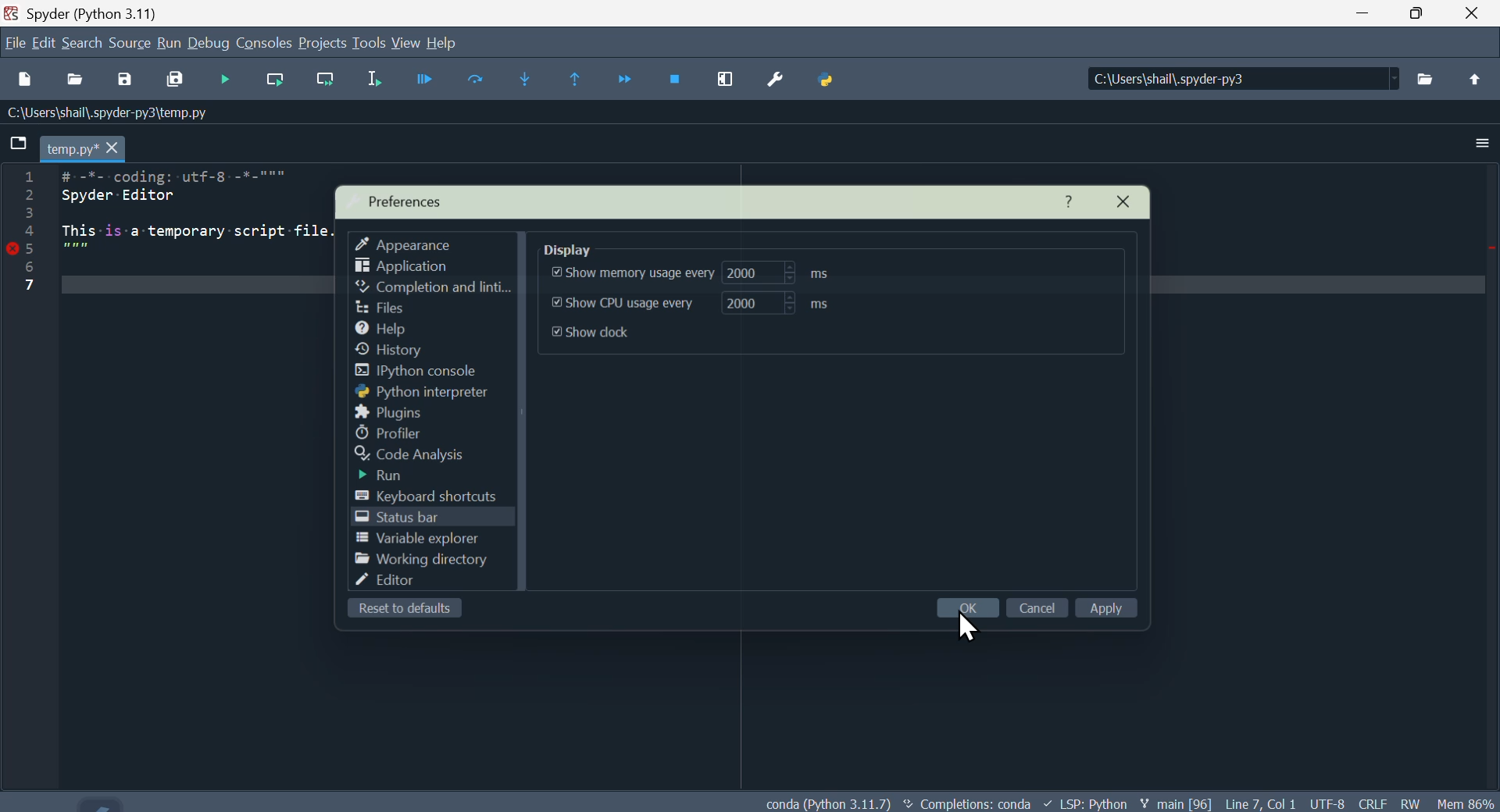 The image size is (1500, 812). Describe the element at coordinates (430, 287) in the screenshot. I see `Completion and` at that location.